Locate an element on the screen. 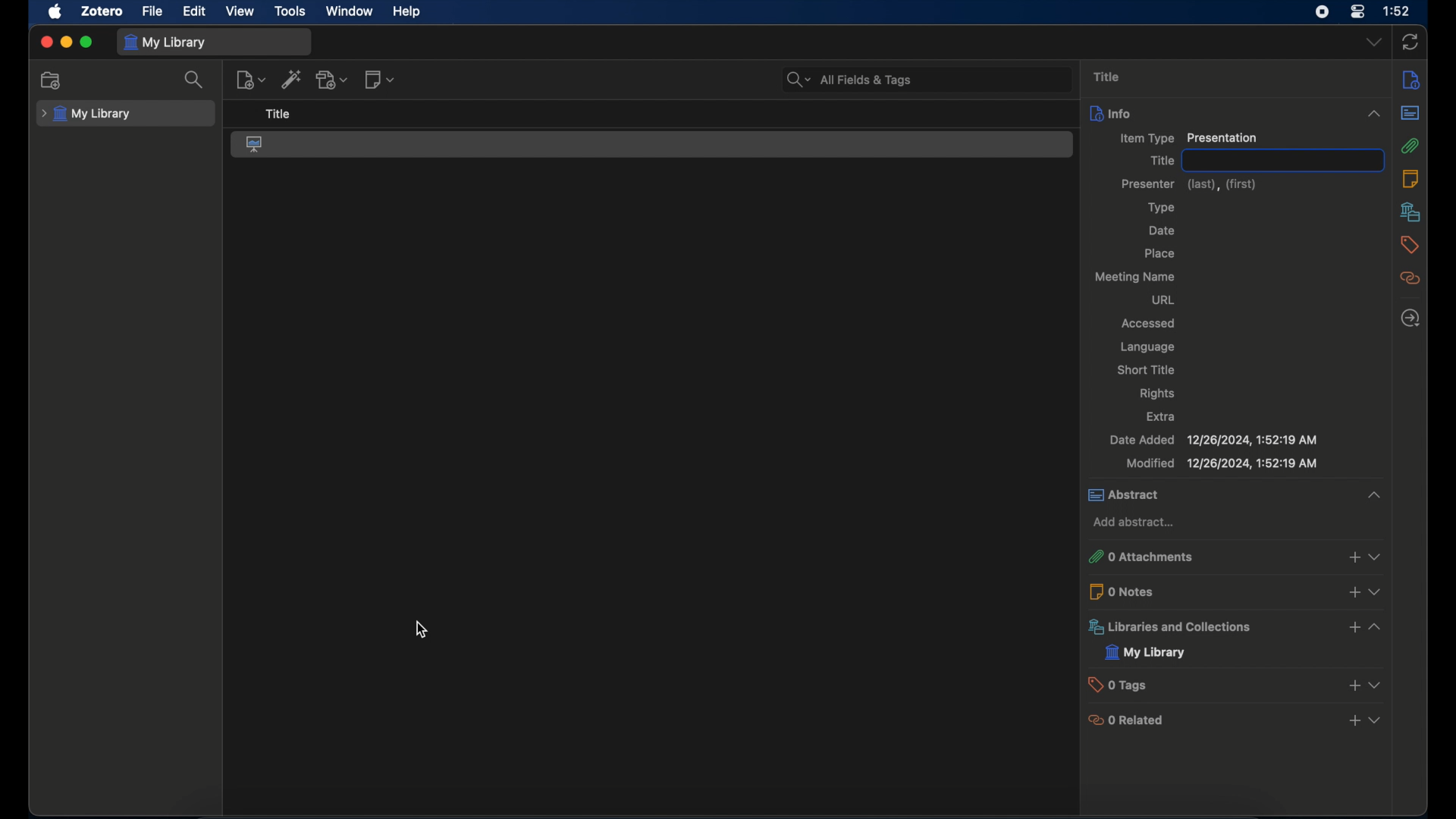 The image size is (1456, 819). locate is located at coordinates (1411, 319).